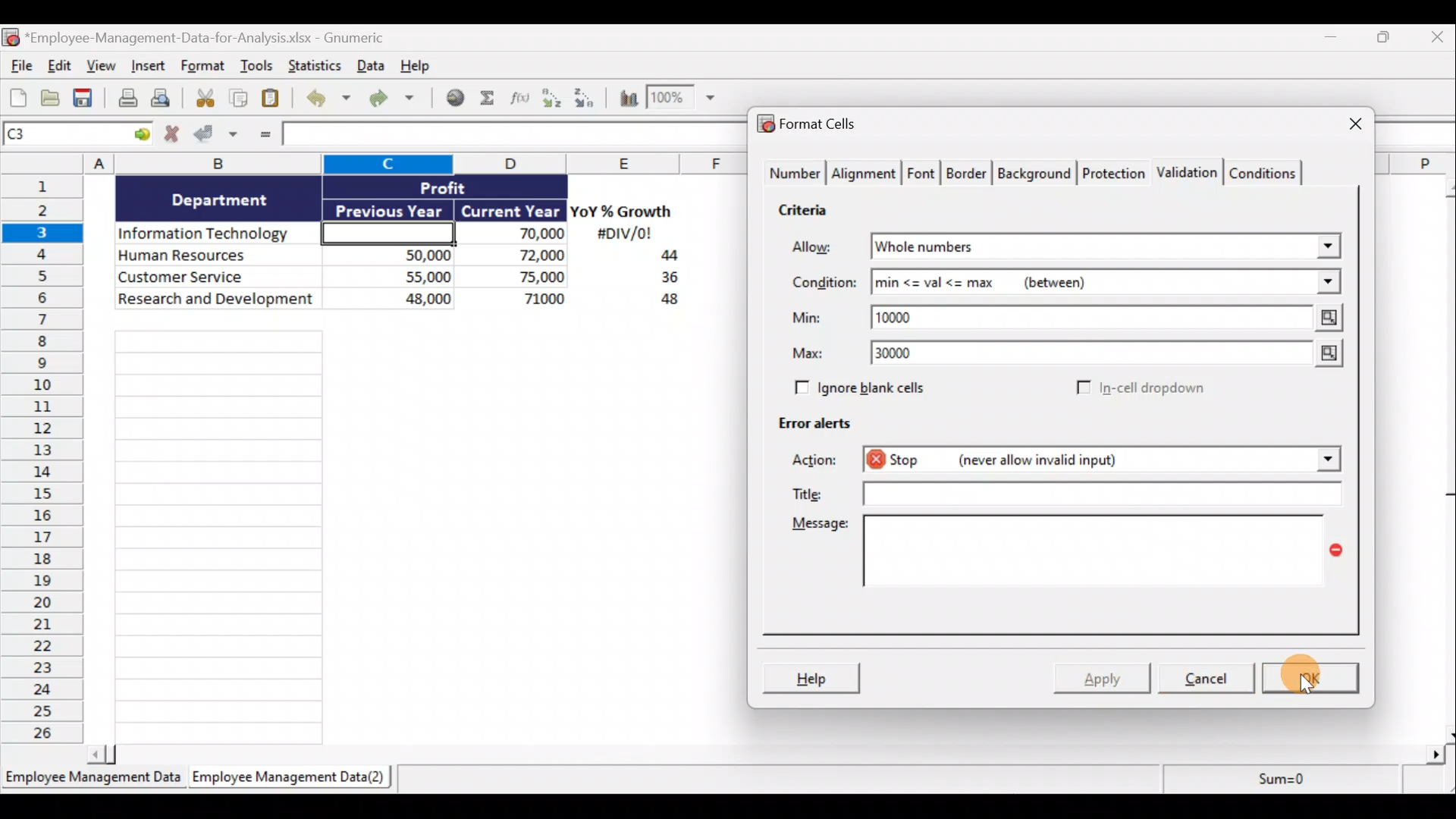 The width and height of the screenshot is (1456, 819). What do you see at coordinates (1443, 457) in the screenshot?
I see `Scroll bar` at bounding box center [1443, 457].